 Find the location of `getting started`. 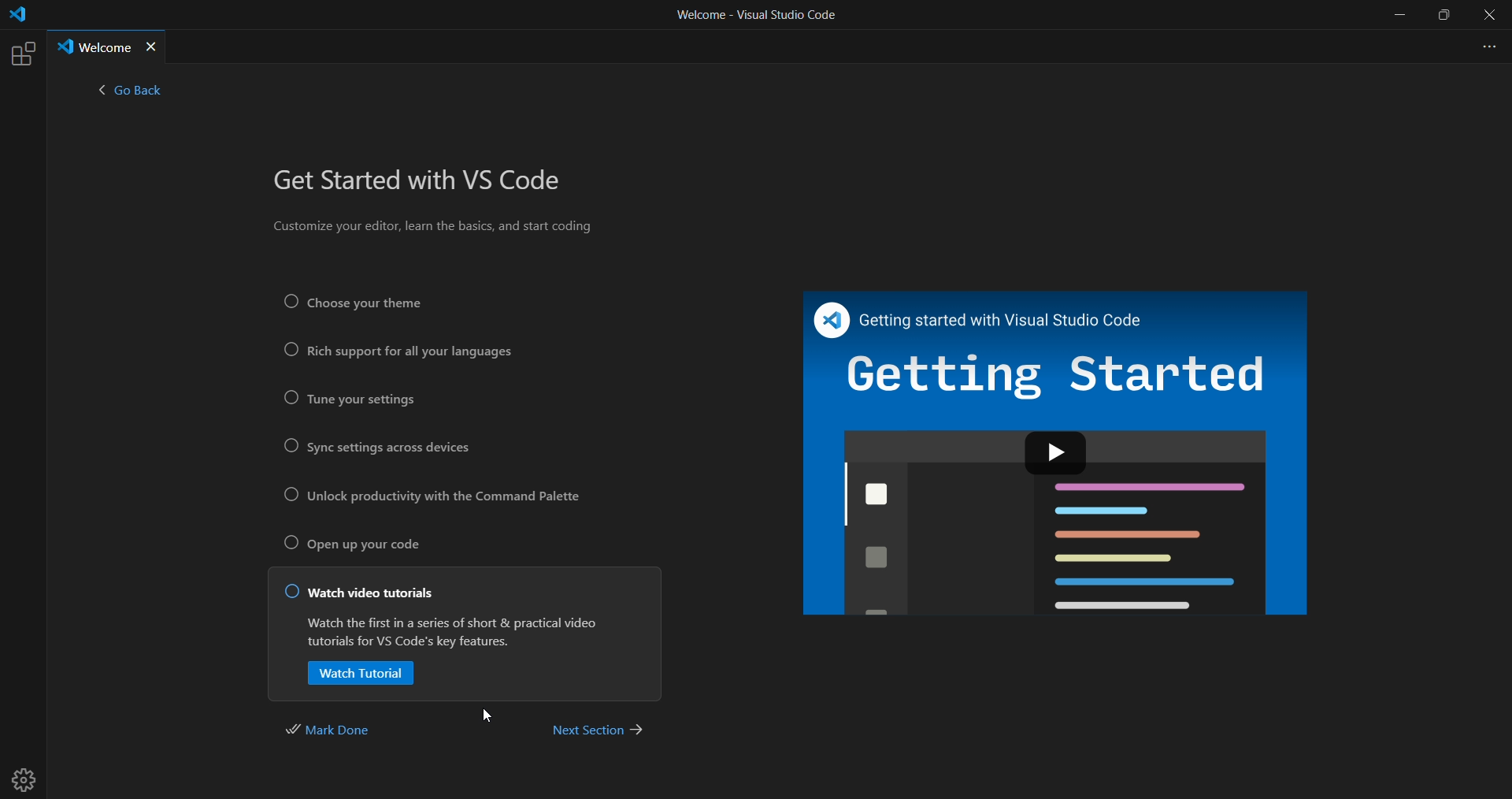

getting started is located at coordinates (1047, 373).